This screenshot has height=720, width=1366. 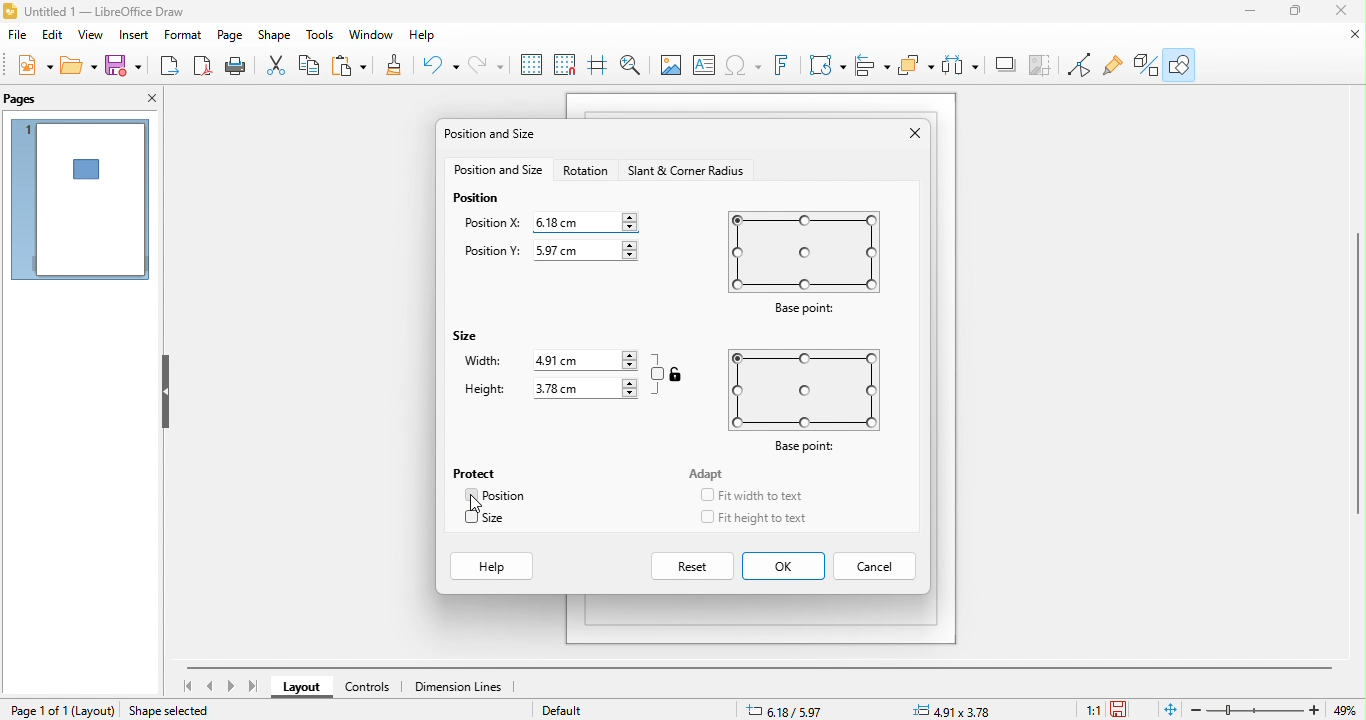 I want to click on image, so click(x=670, y=67).